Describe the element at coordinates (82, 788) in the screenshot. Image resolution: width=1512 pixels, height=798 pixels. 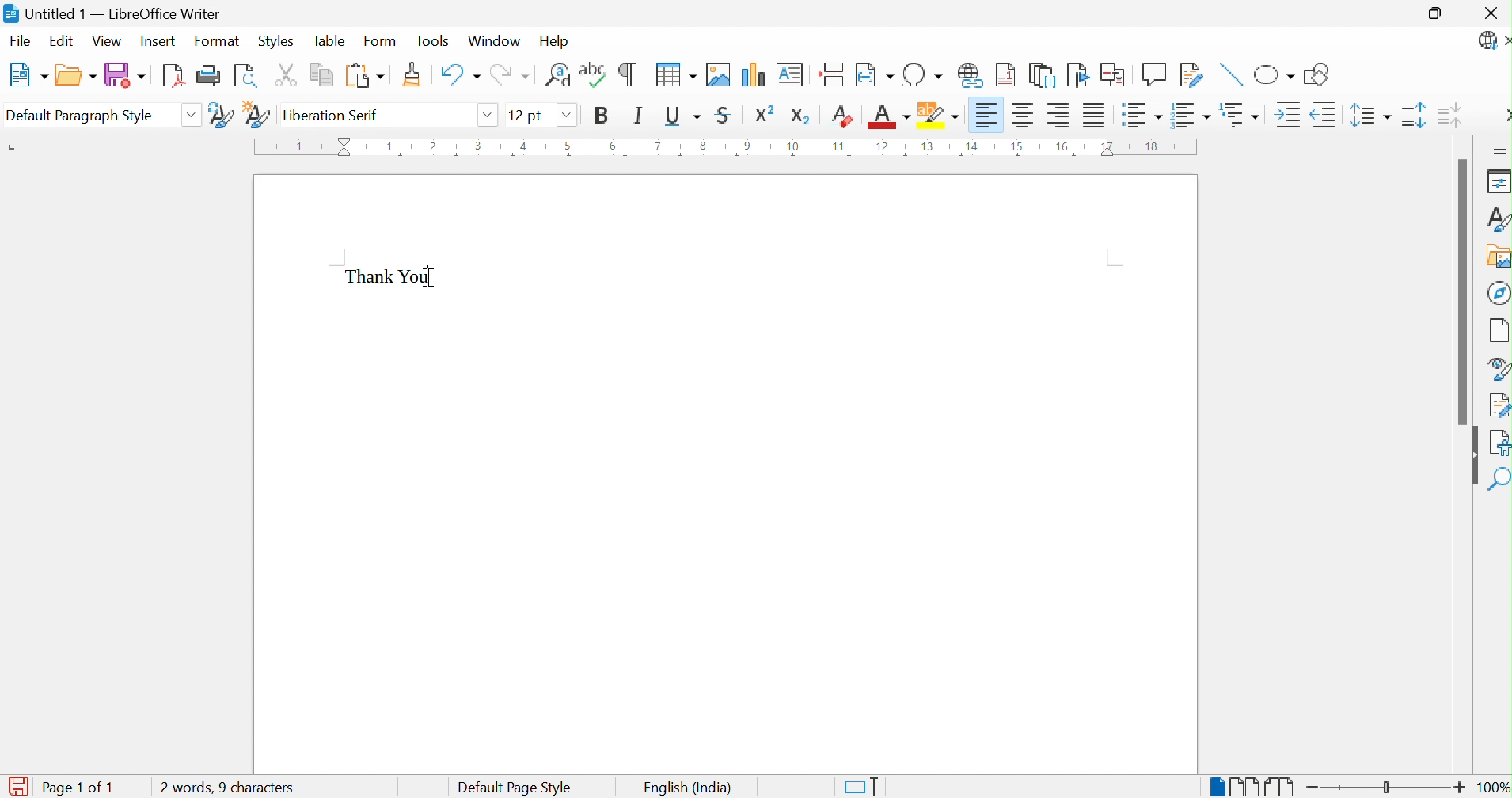
I see `Page 1 of 1` at that location.